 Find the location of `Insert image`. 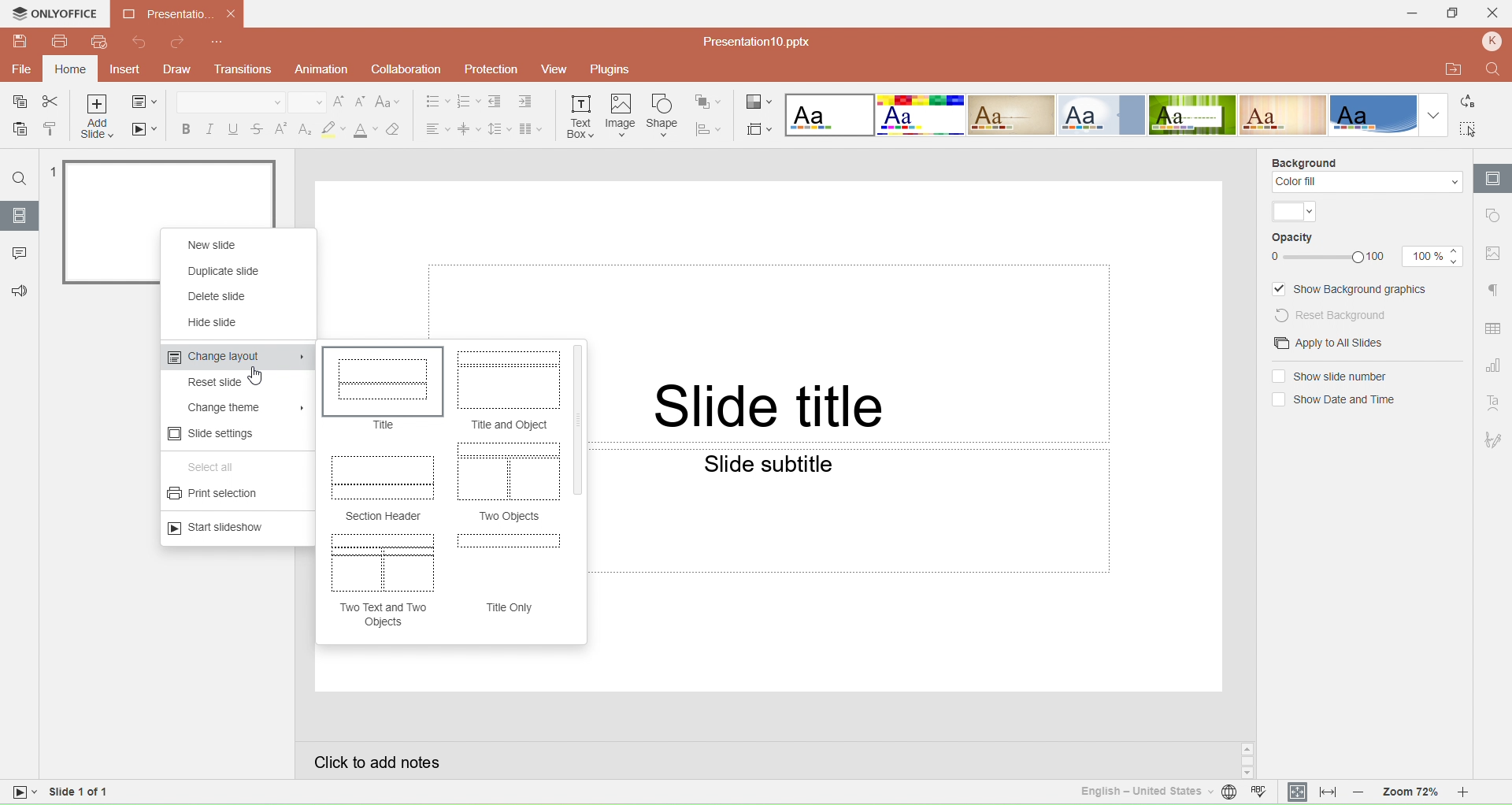

Insert image is located at coordinates (621, 116).